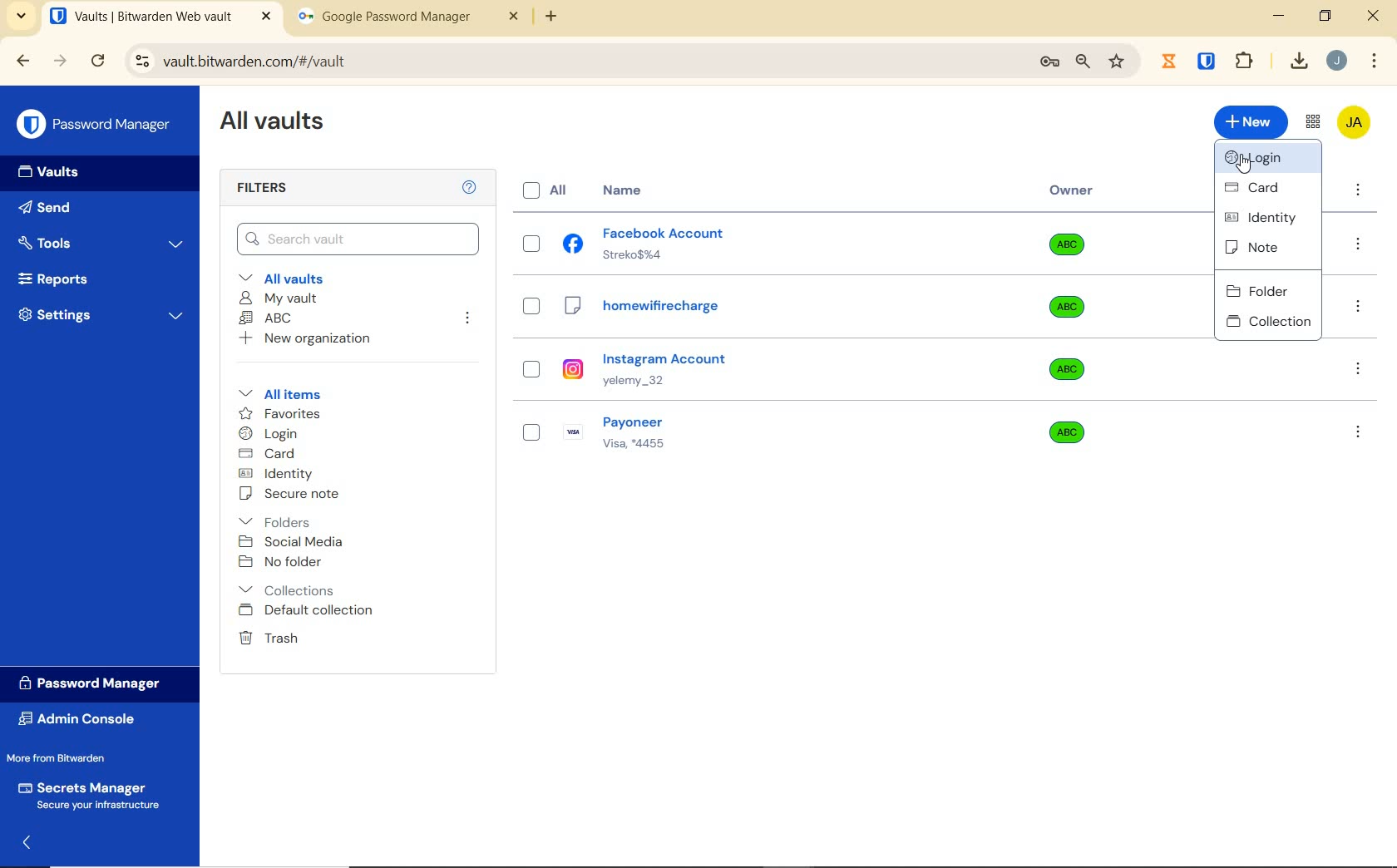 The width and height of the screenshot is (1397, 868). Describe the element at coordinates (1298, 61) in the screenshot. I see `download` at that location.